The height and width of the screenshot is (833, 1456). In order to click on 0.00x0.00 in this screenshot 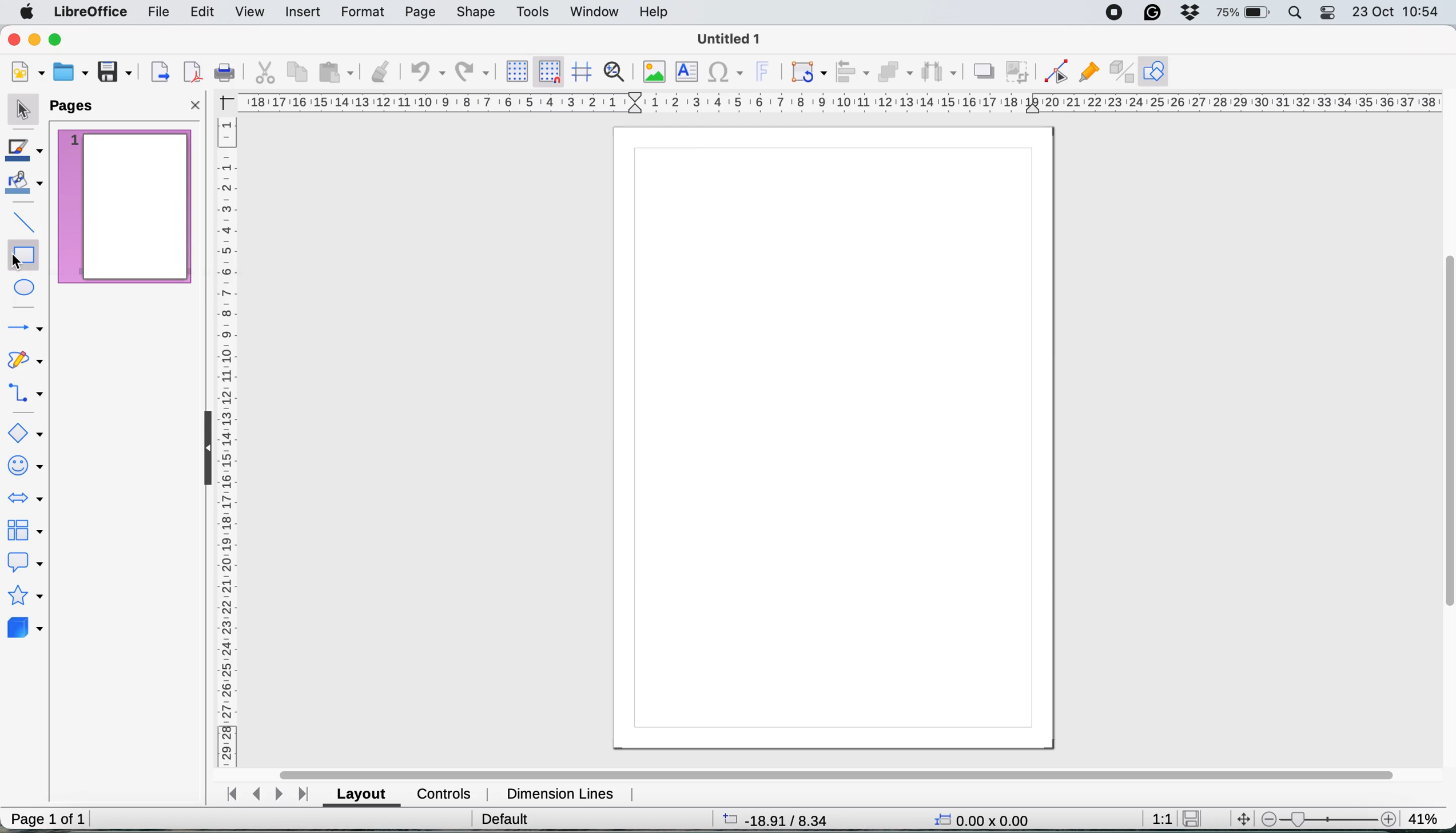, I will do `click(982, 818)`.